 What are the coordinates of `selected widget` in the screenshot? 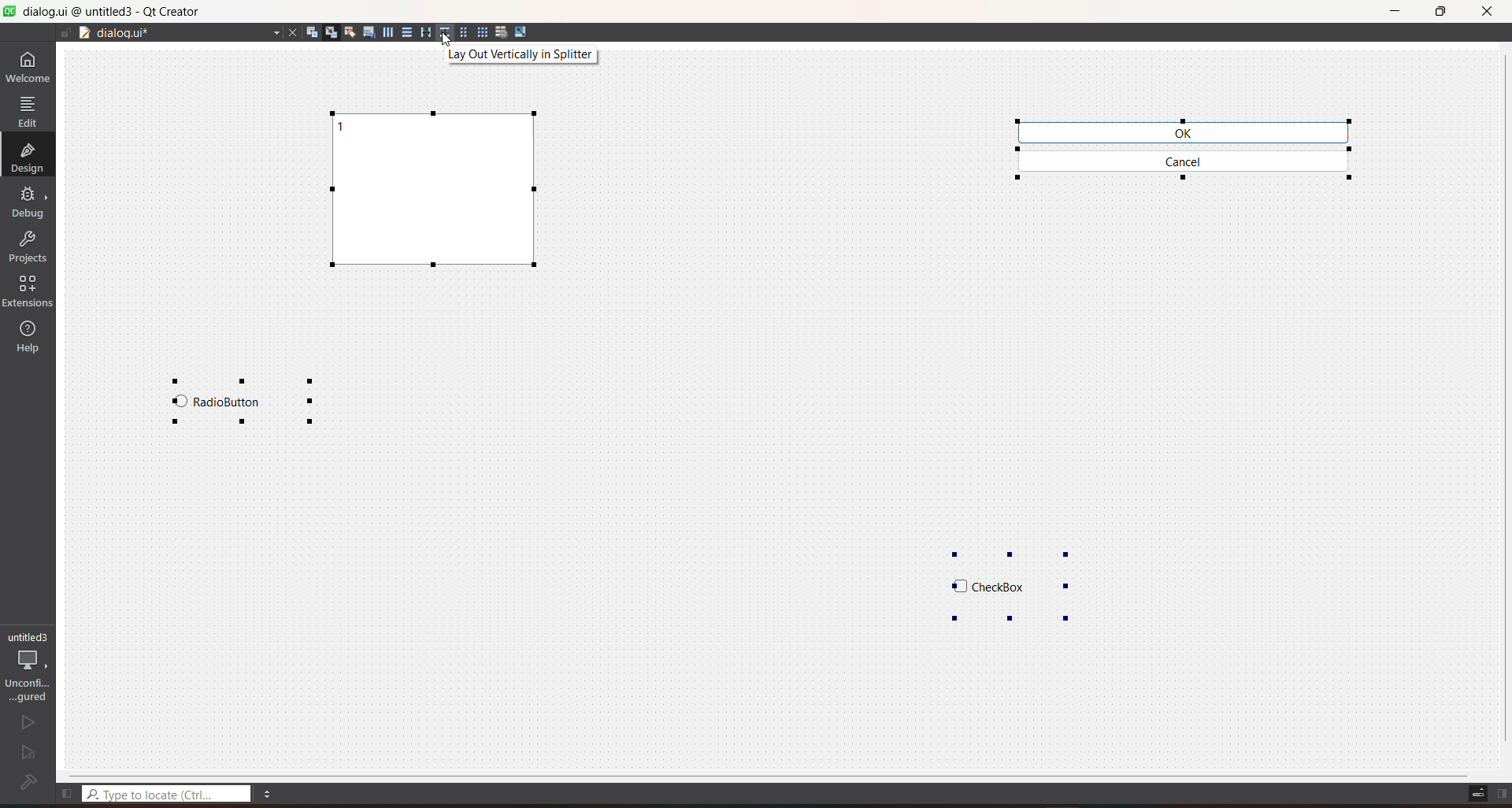 It's located at (1006, 579).